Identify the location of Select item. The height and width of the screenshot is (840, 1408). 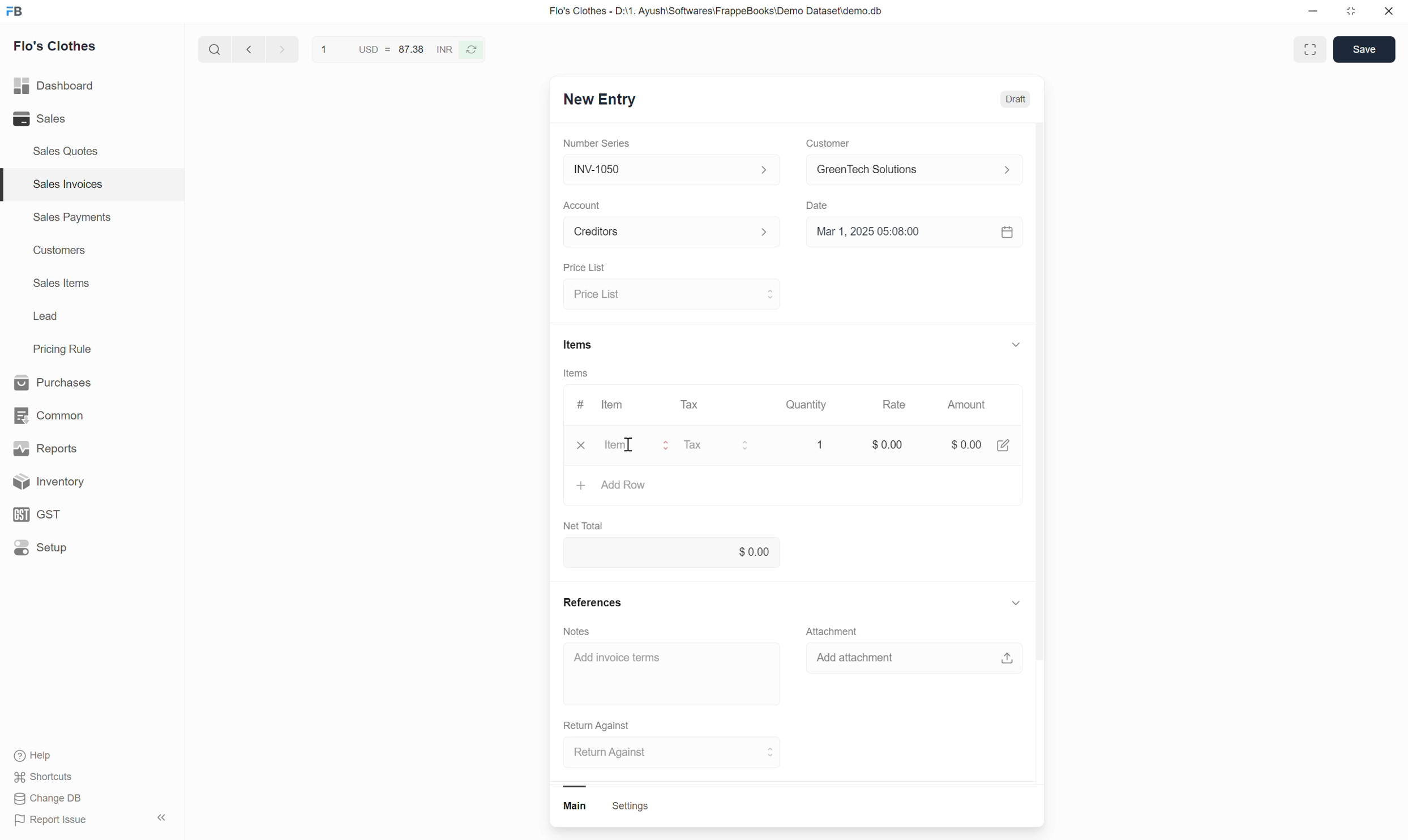
(639, 446).